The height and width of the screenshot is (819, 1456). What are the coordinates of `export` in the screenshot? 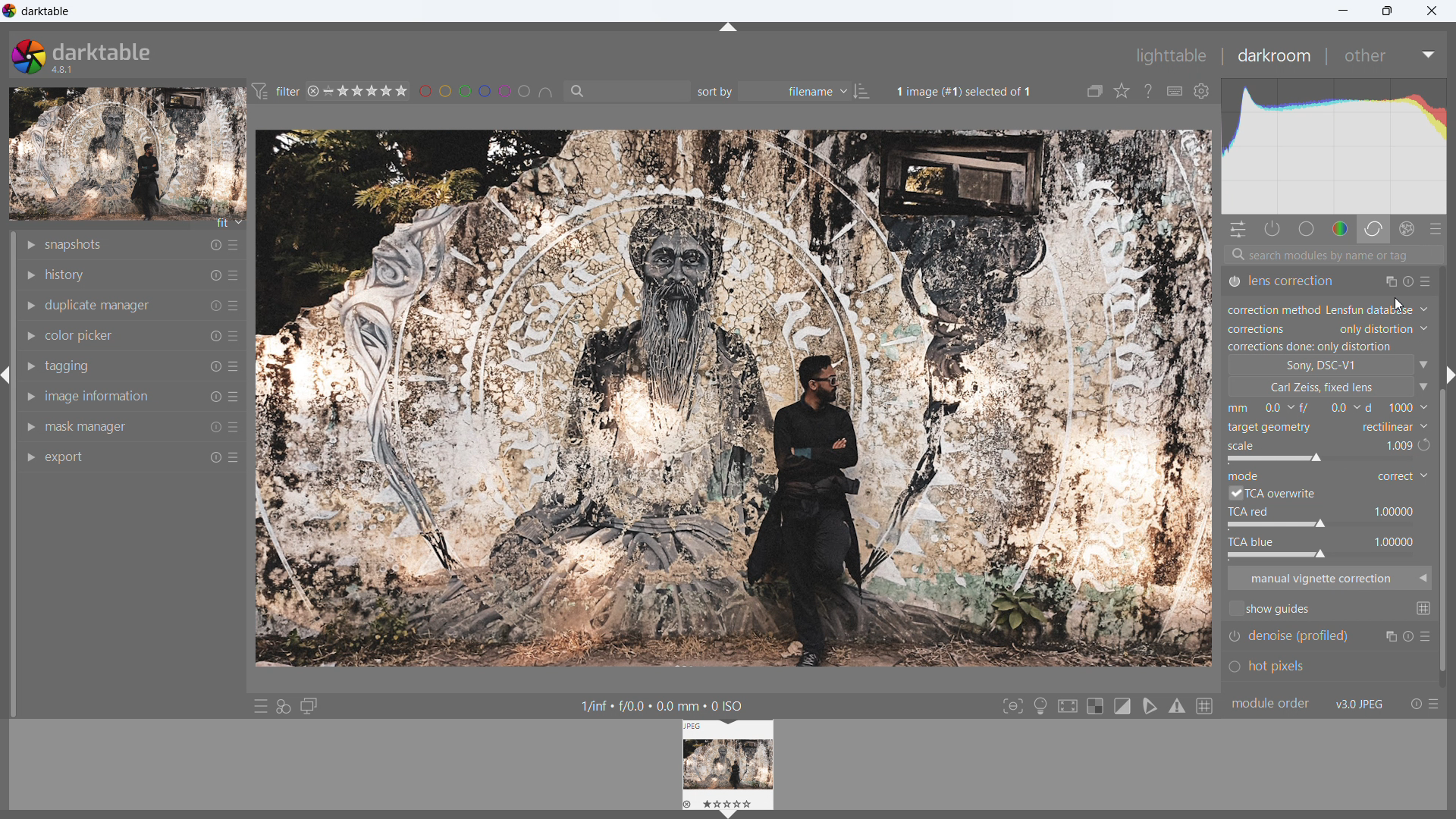 It's located at (65, 457).